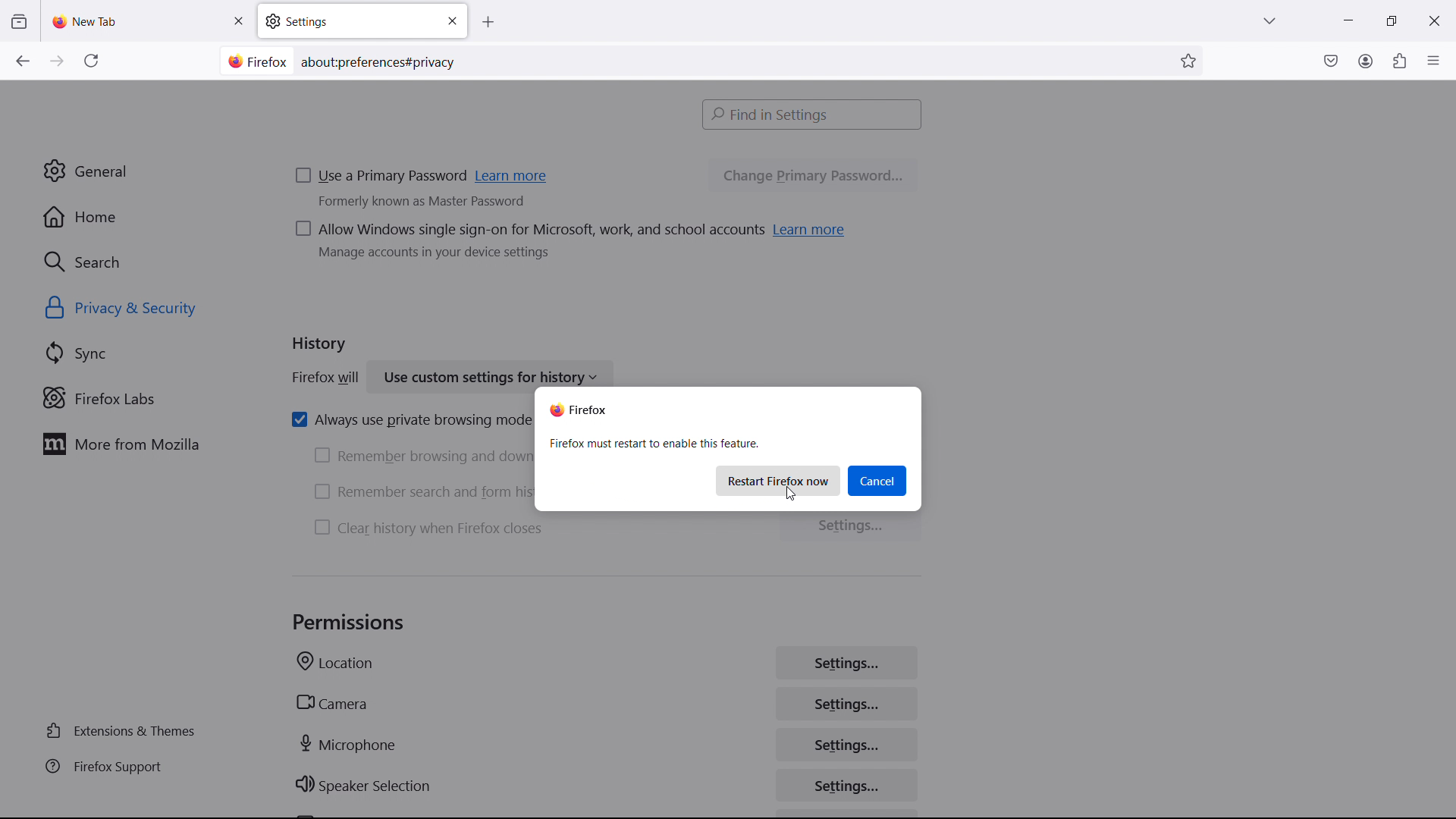 This screenshot has width=1456, height=819. Describe the element at coordinates (503, 23) in the screenshot. I see `open new tab` at that location.